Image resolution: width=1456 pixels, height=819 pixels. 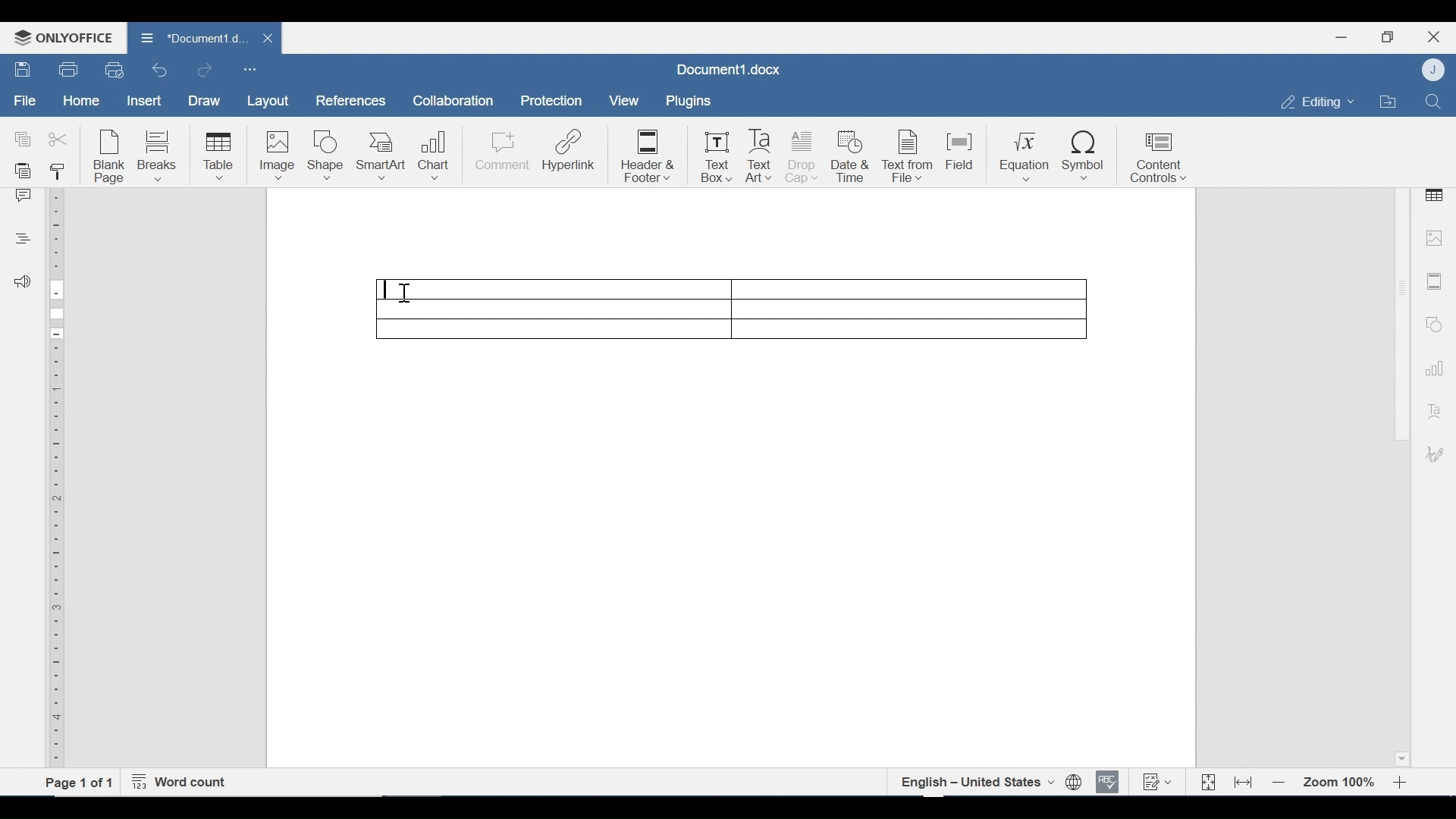 I want to click on Field, so click(x=962, y=156).